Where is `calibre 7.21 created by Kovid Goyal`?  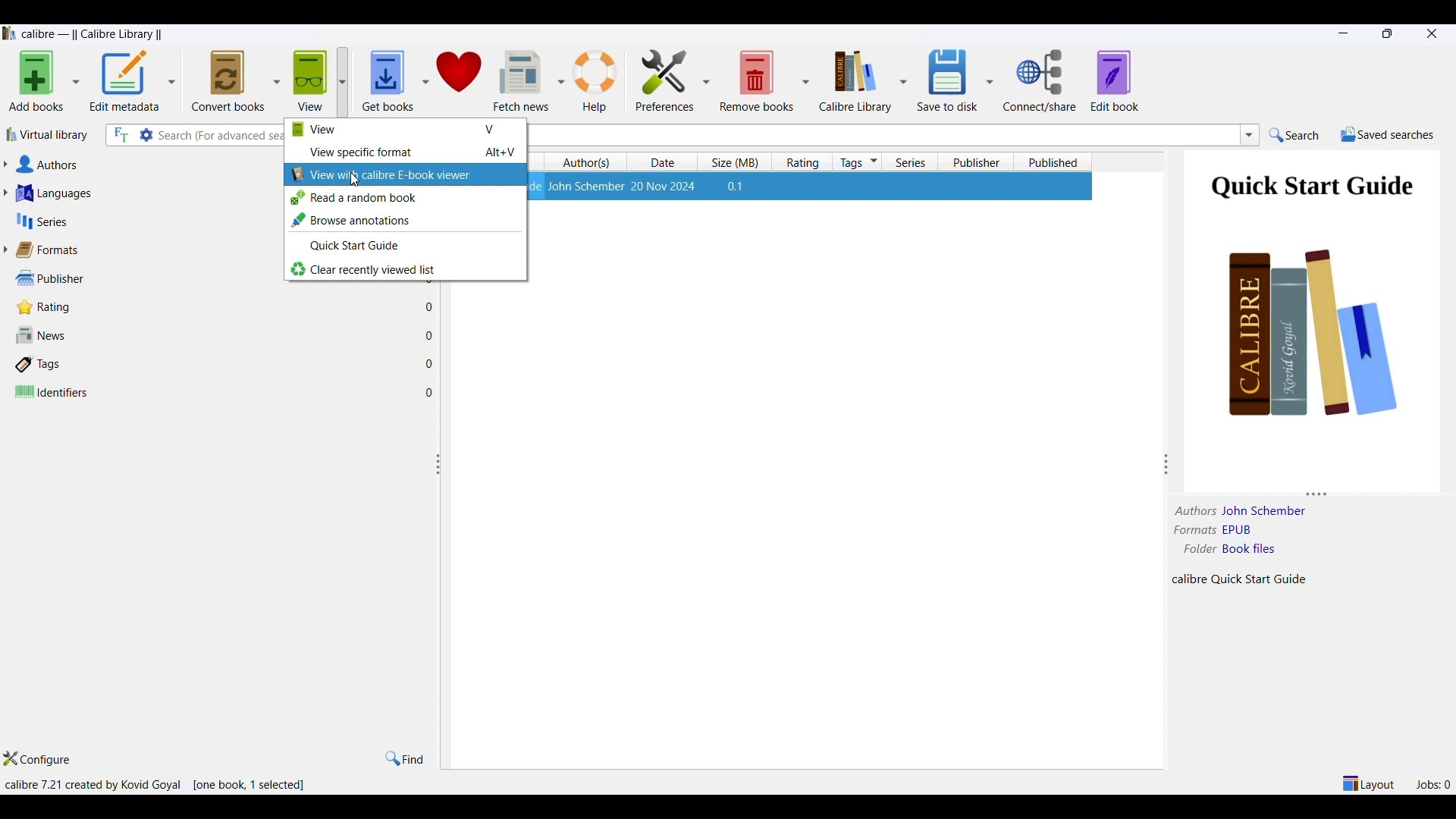
calibre 7.21 created by Kovid Goyal is located at coordinates (93, 785).